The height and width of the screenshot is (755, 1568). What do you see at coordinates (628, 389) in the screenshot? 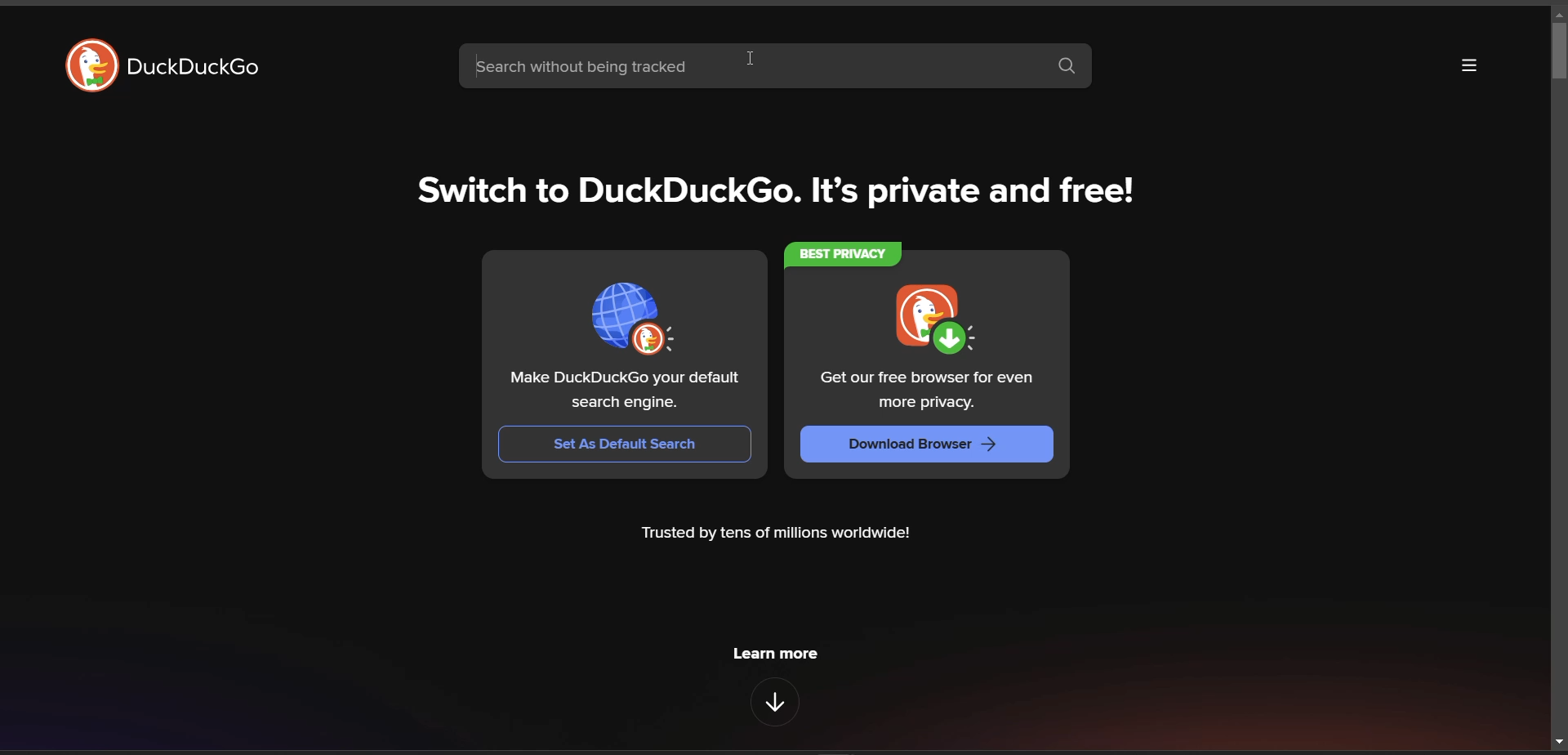
I see `Make DuckDuckGo your default search engine.` at bounding box center [628, 389].